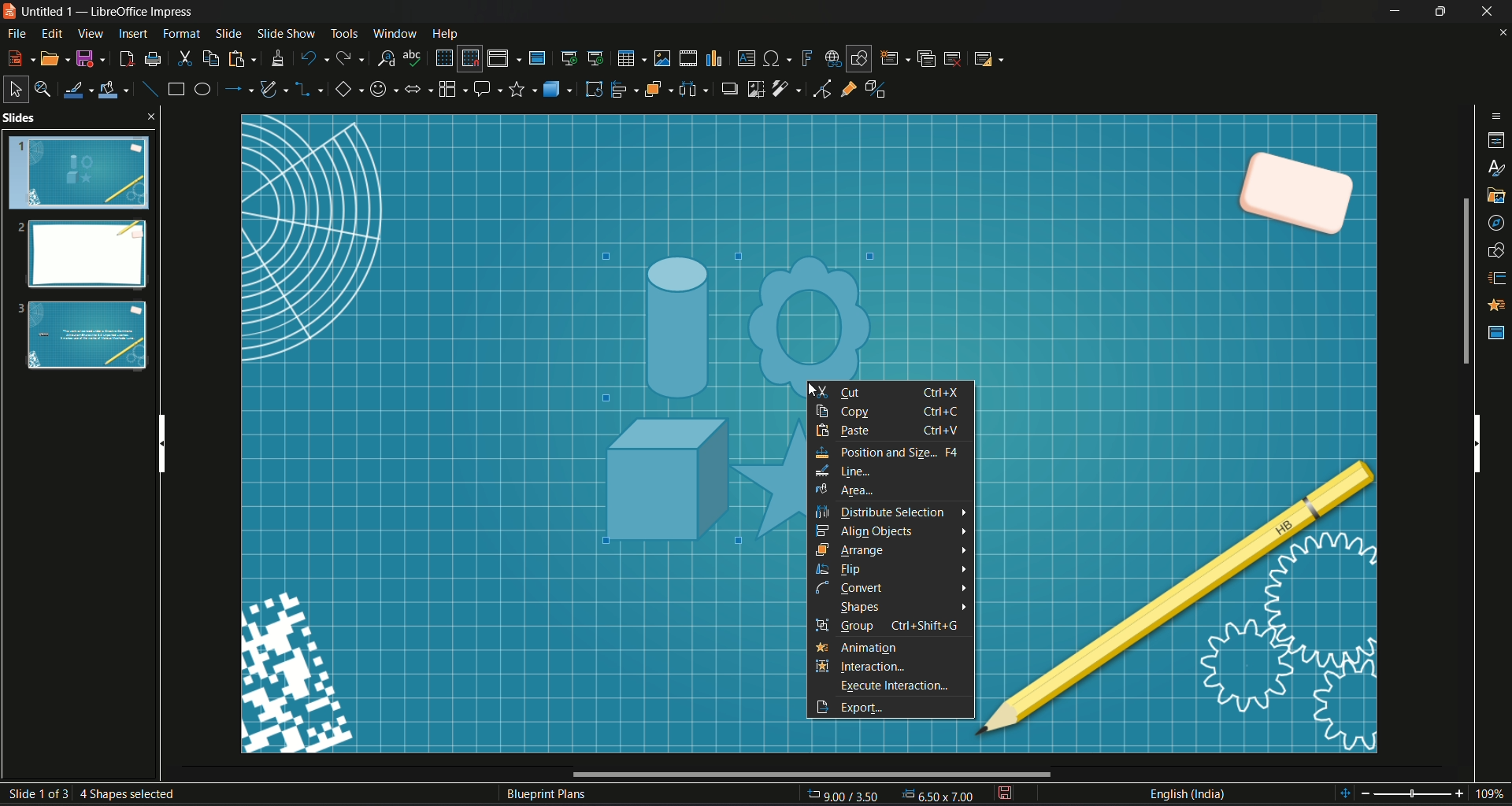 This screenshot has width=1512, height=806. What do you see at coordinates (313, 57) in the screenshot?
I see `undo` at bounding box center [313, 57].